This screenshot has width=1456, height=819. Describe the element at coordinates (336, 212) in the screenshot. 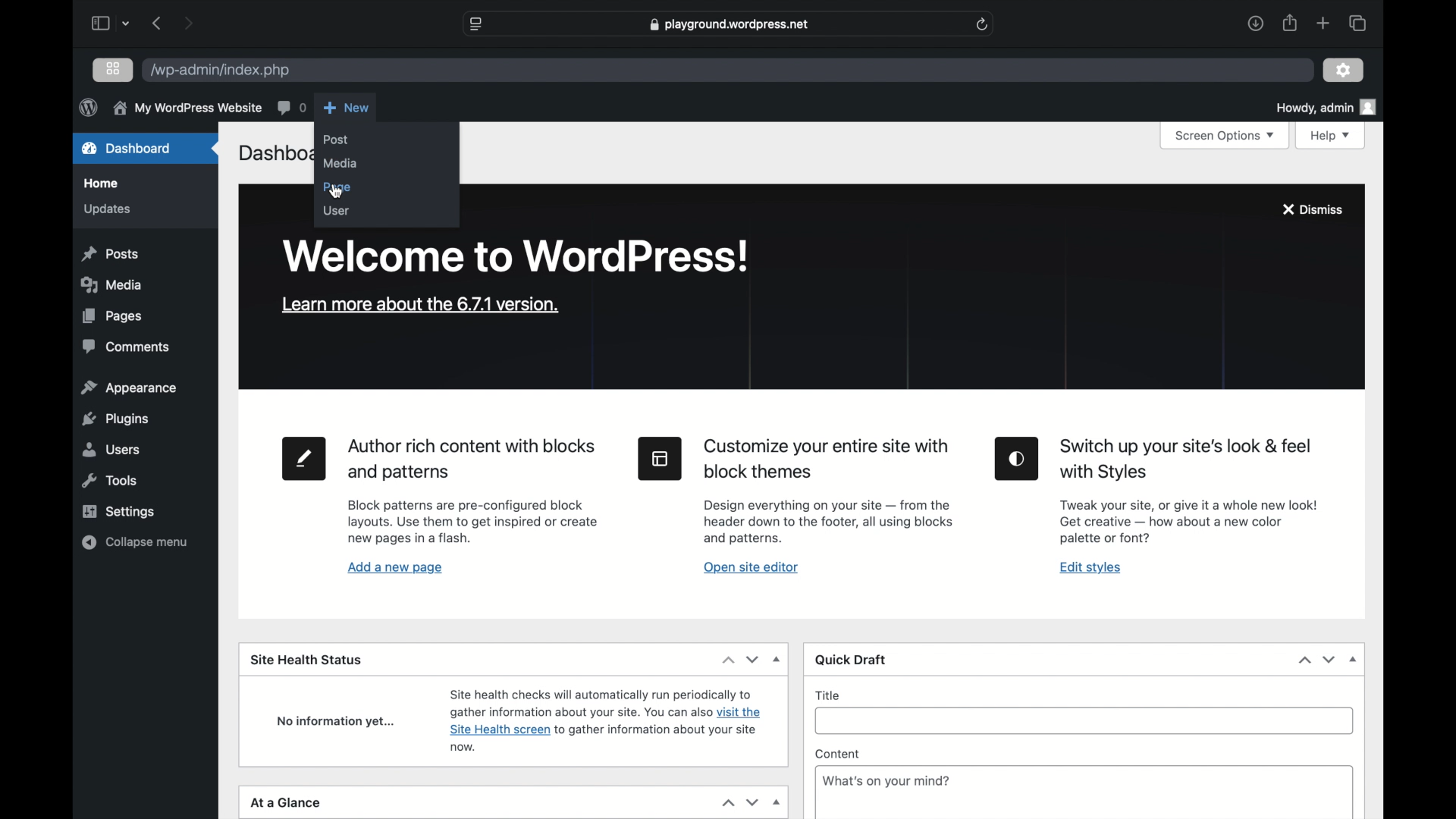

I see `user` at that location.